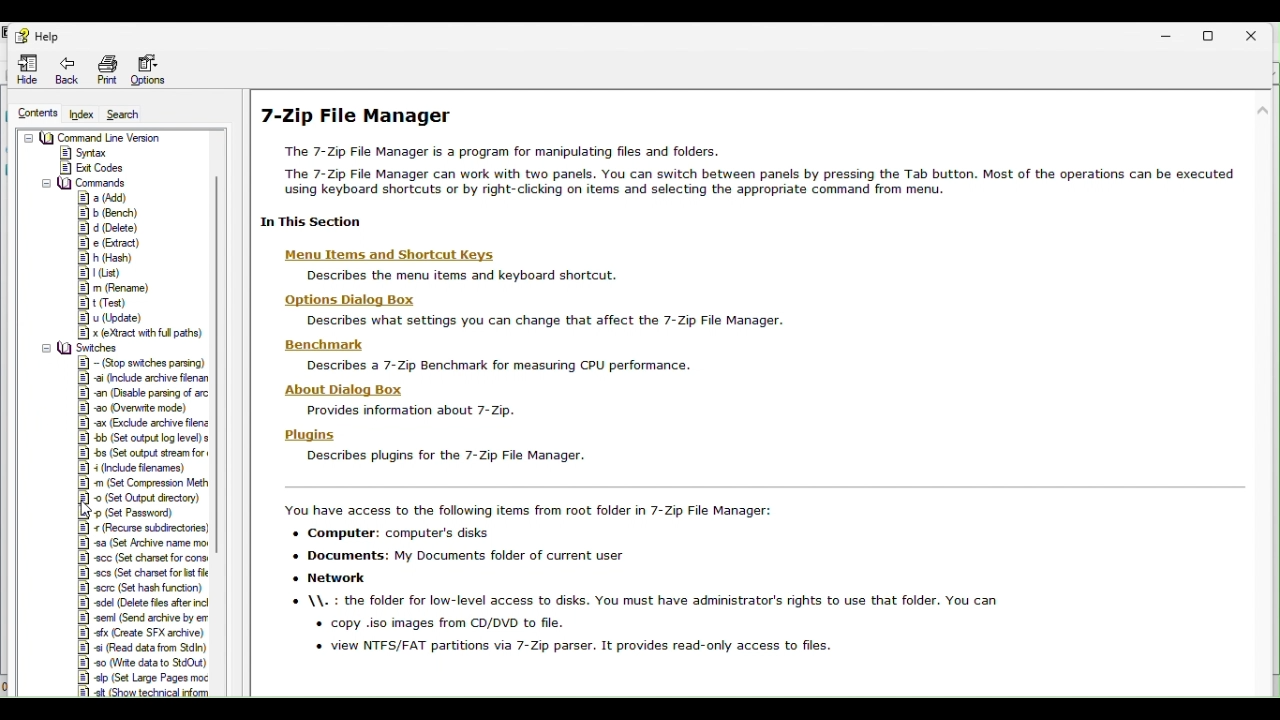 The width and height of the screenshot is (1280, 720). Describe the element at coordinates (1217, 32) in the screenshot. I see `Restore` at that location.